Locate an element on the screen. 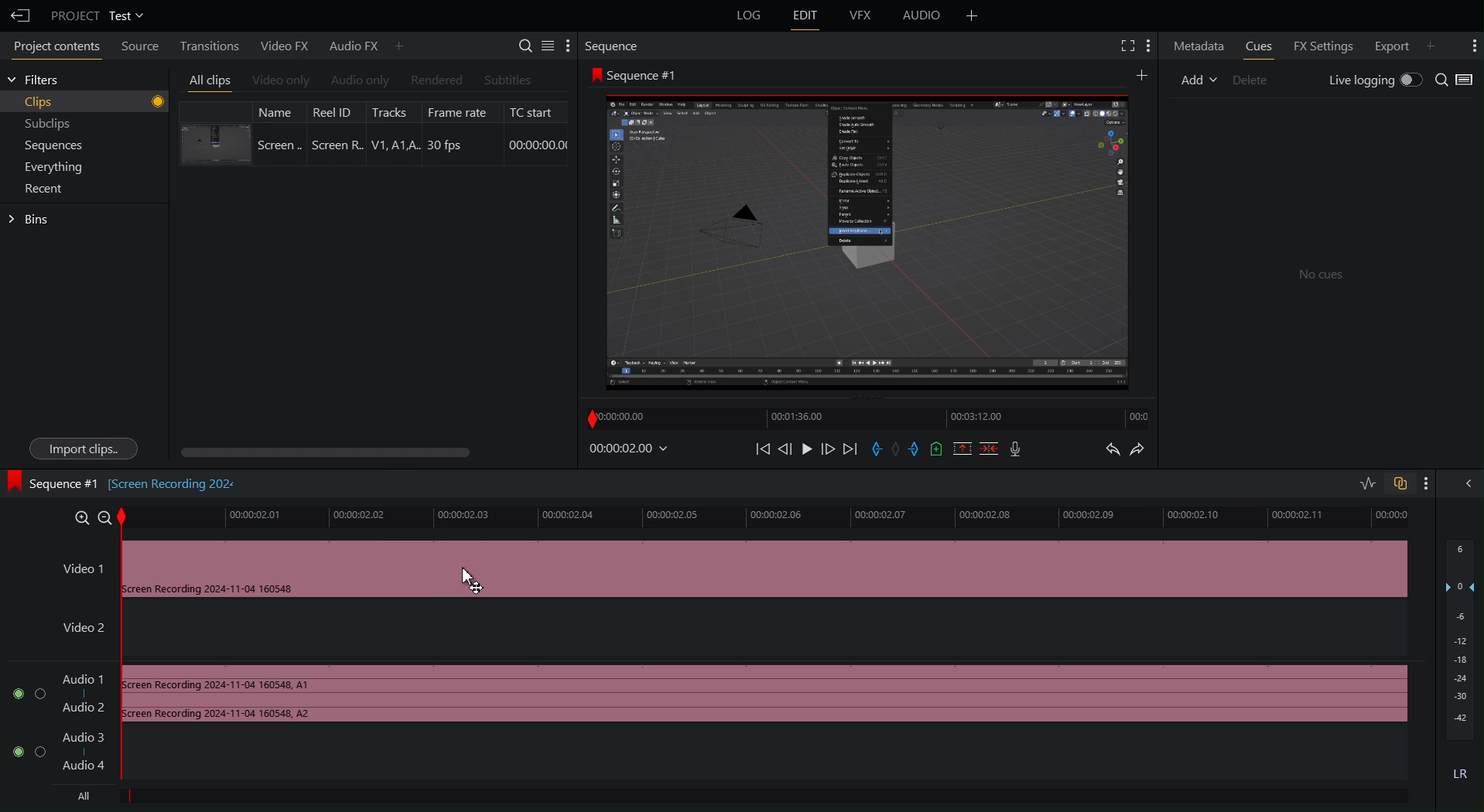  More is located at coordinates (1433, 483).